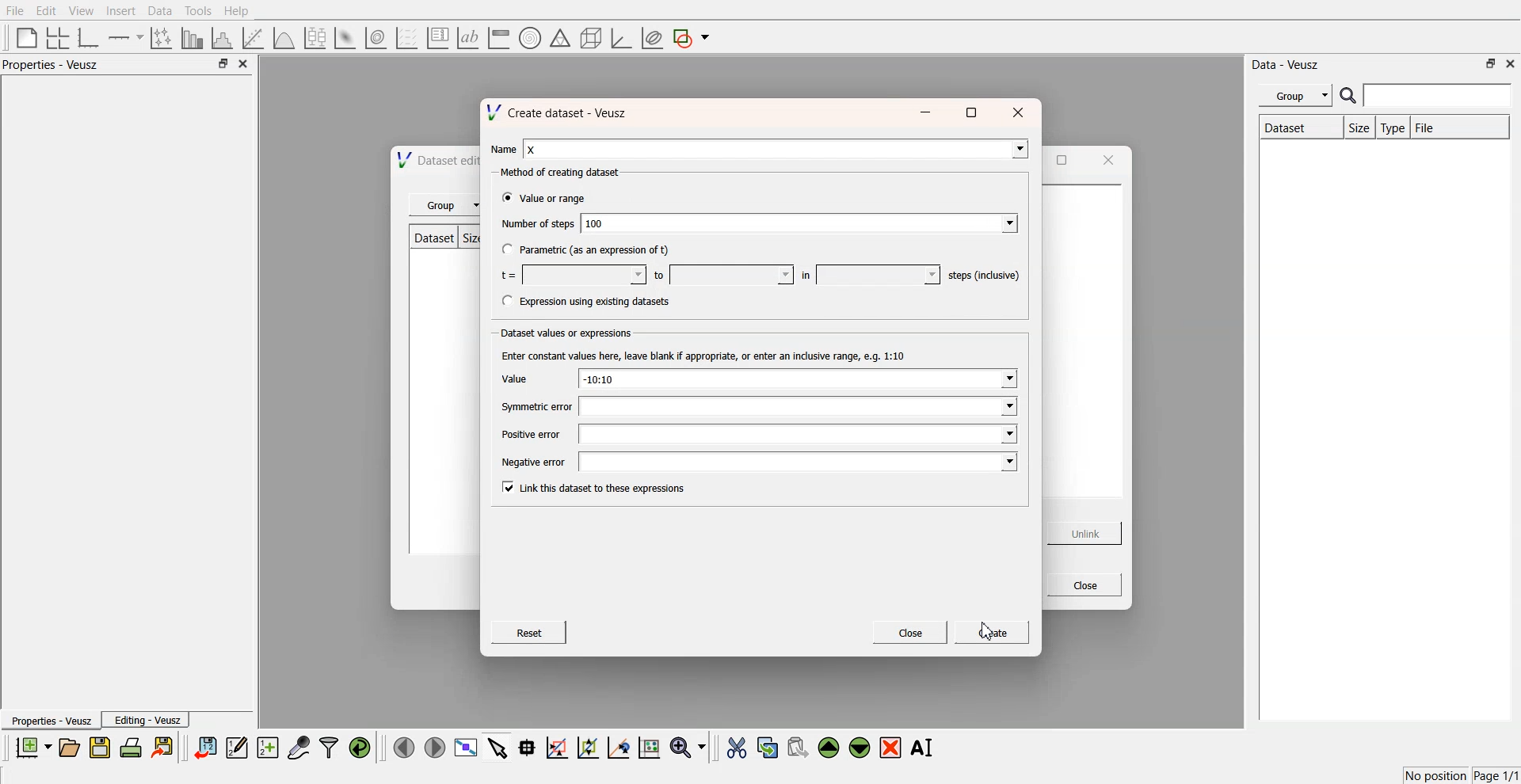 Image resolution: width=1521 pixels, height=784 pixels. I want to click on -Method of creating dataset , so click(563, 173).